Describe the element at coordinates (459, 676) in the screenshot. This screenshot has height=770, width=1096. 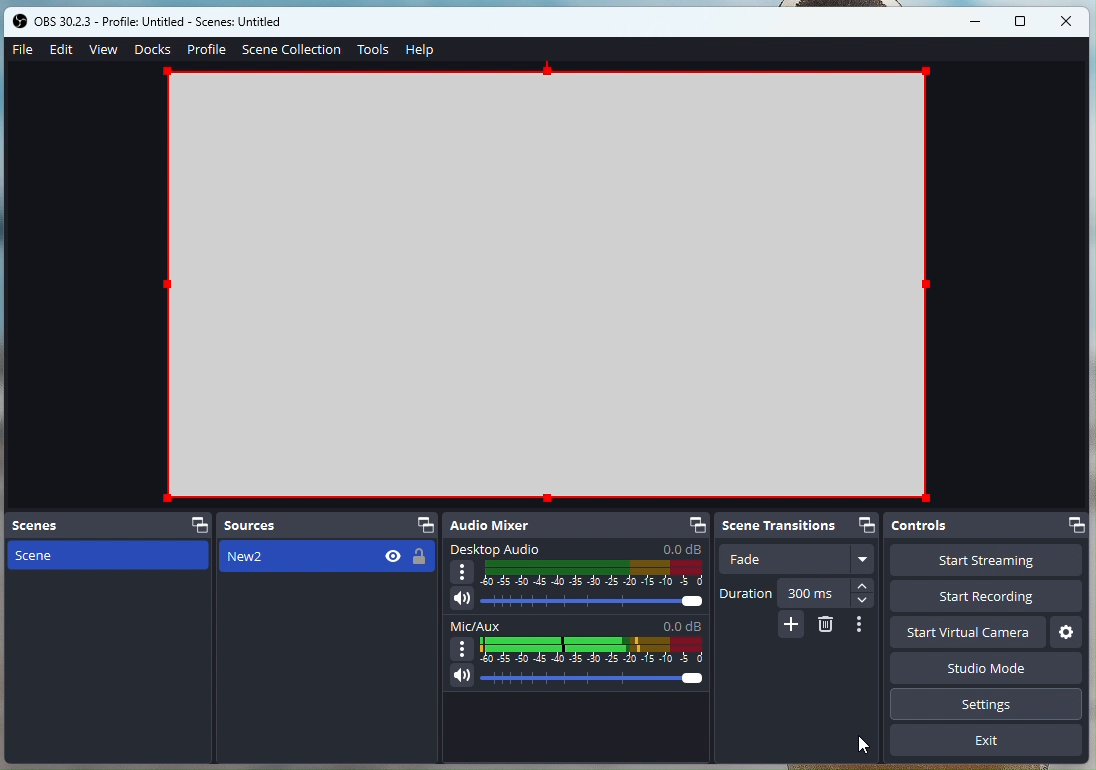
I see `Microphone` at that location.